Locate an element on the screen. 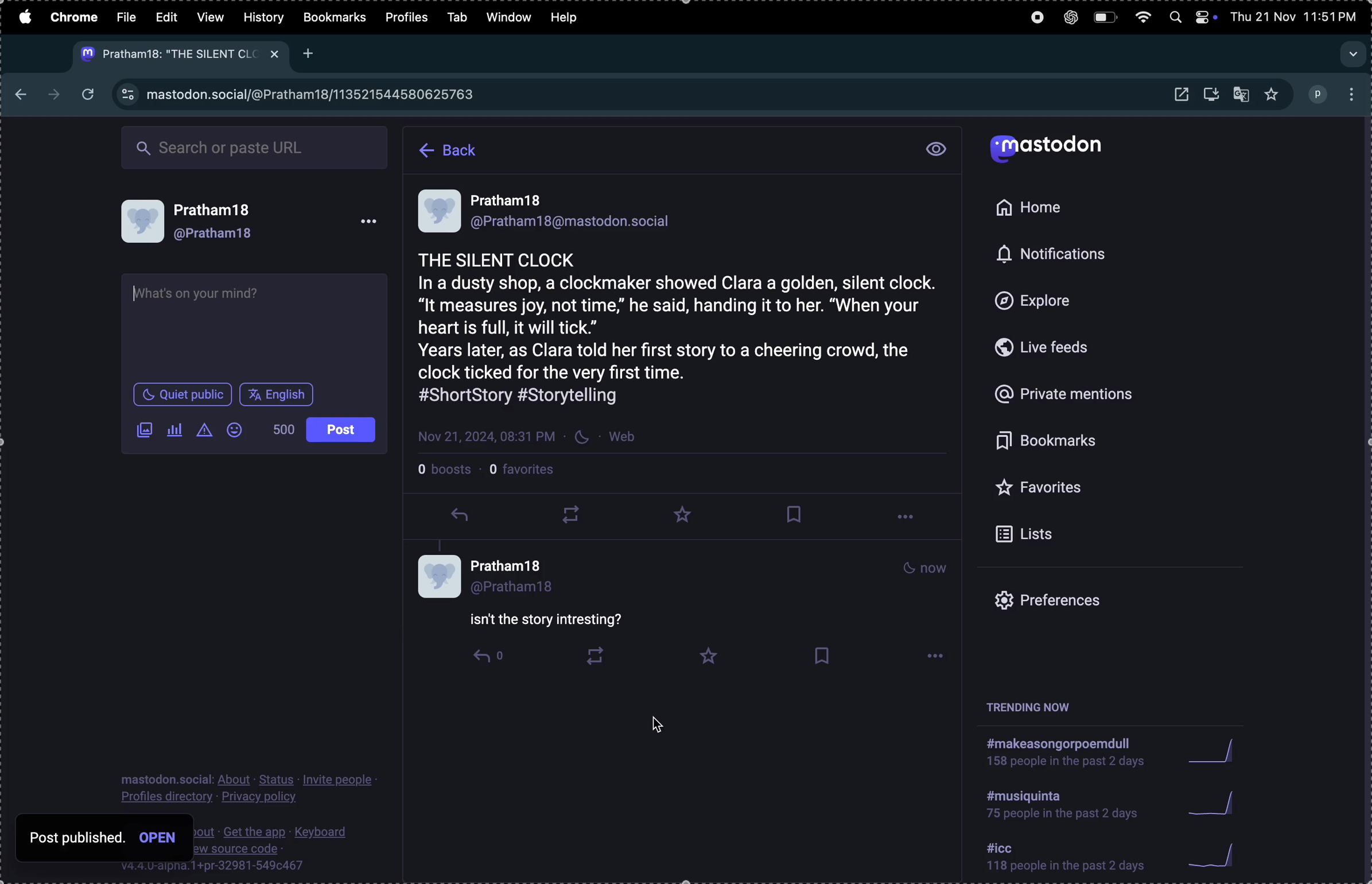 Image resolution: width=1372 pixels, height=884 pixels. home is located at coordinates (1036, 208).